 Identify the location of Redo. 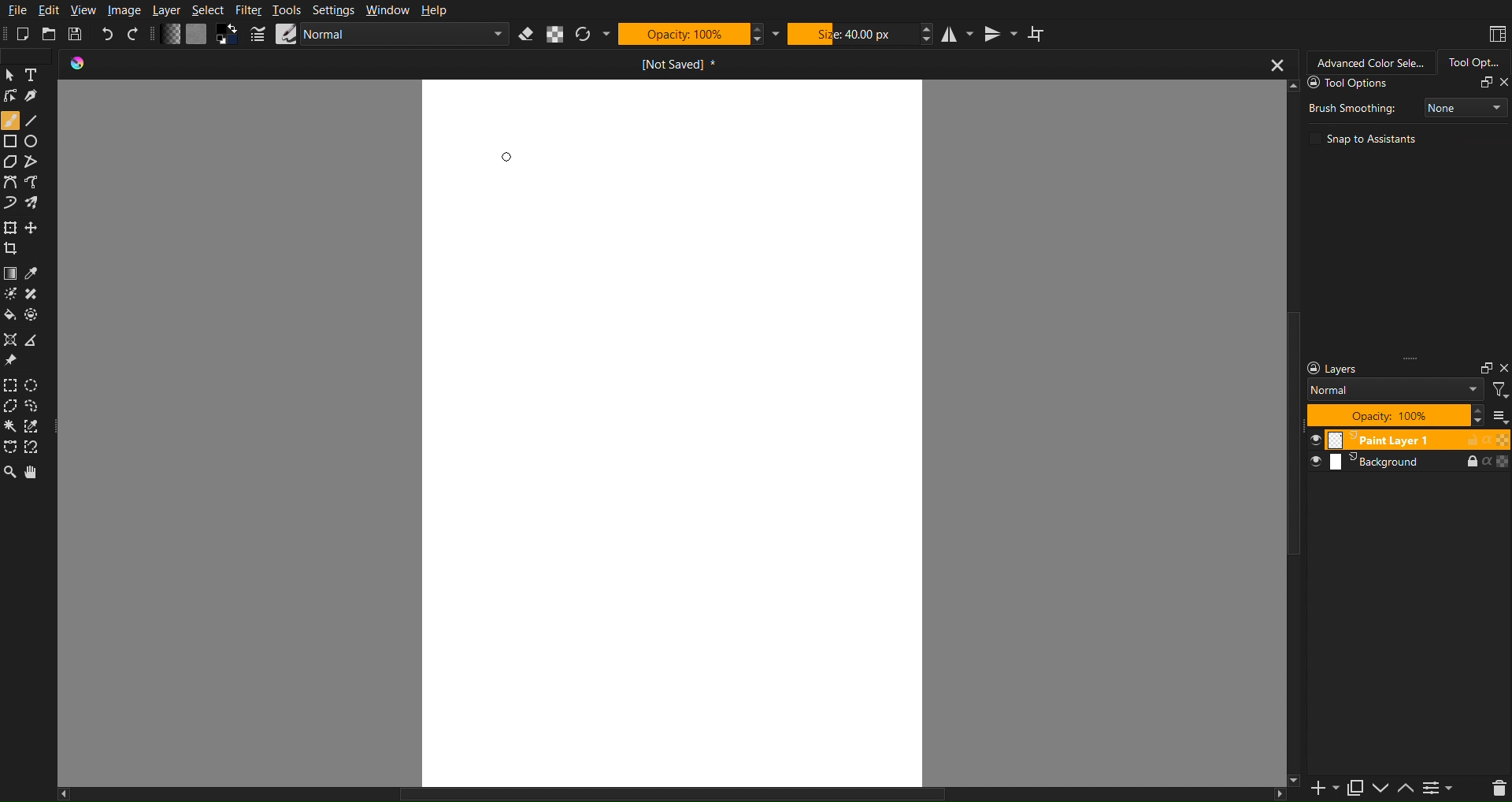
(135, 34).